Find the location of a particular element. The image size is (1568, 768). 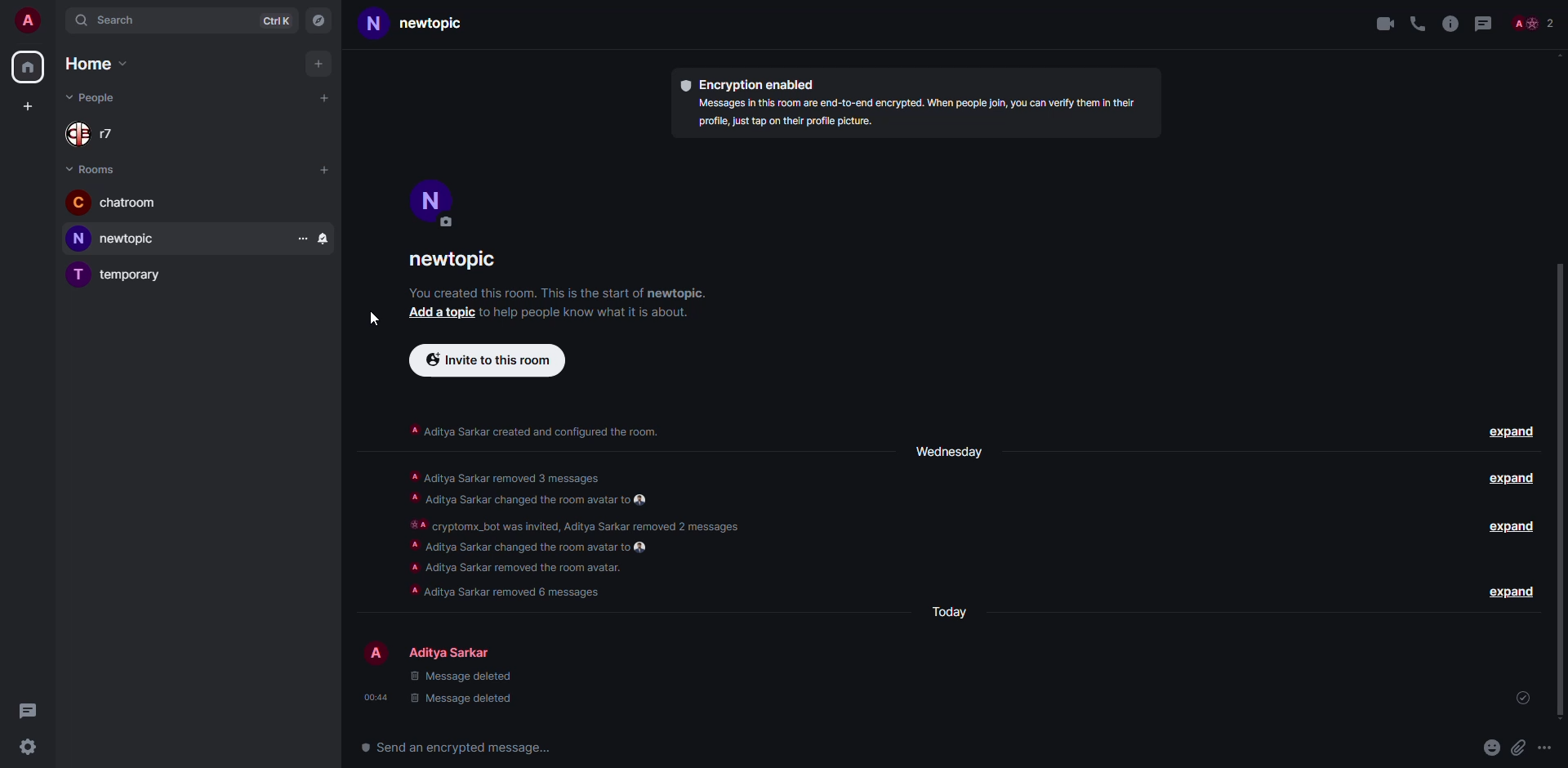

threads is located at coordinates (29, 709).